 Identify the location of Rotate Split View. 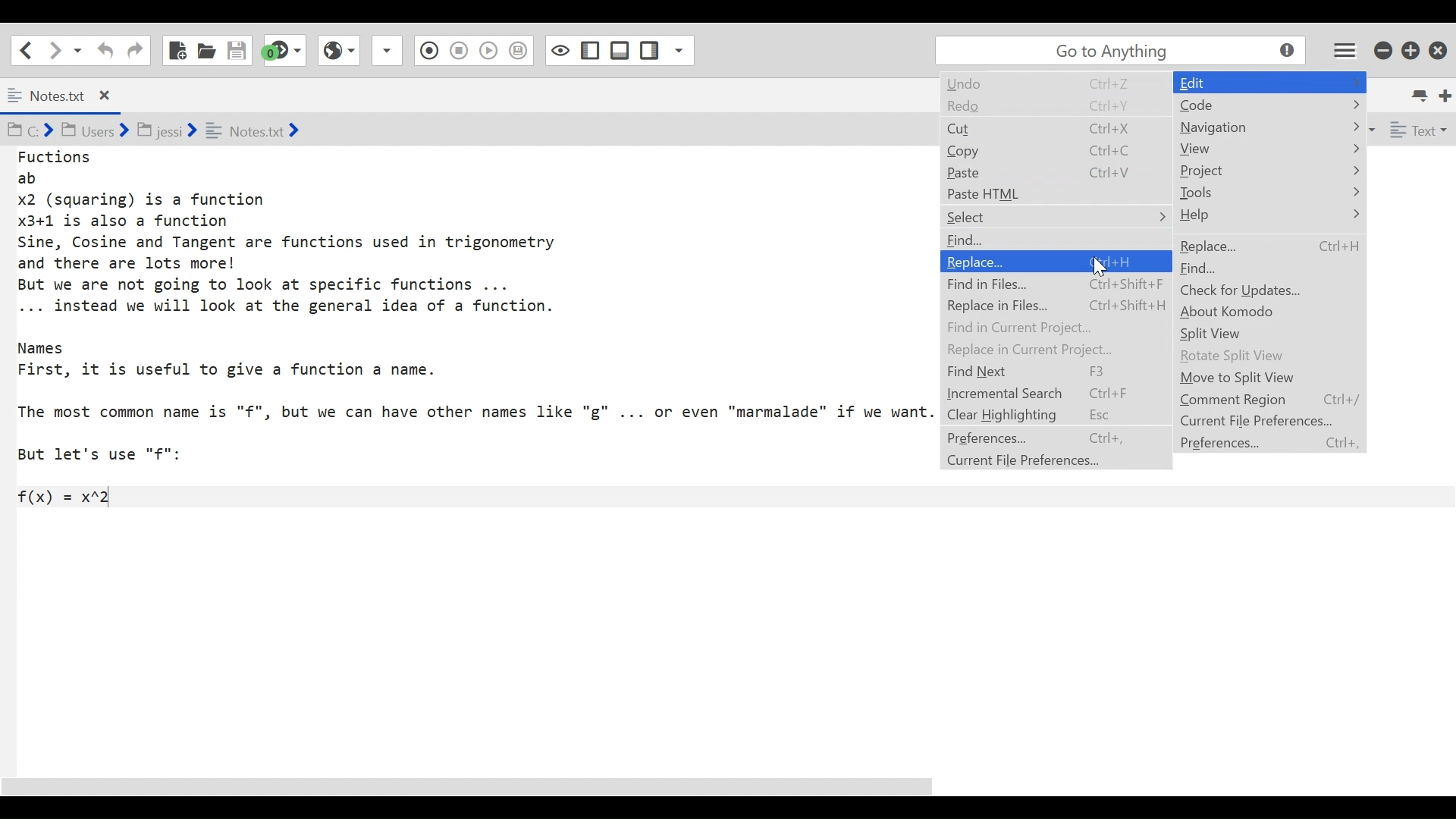
(1248, 356).